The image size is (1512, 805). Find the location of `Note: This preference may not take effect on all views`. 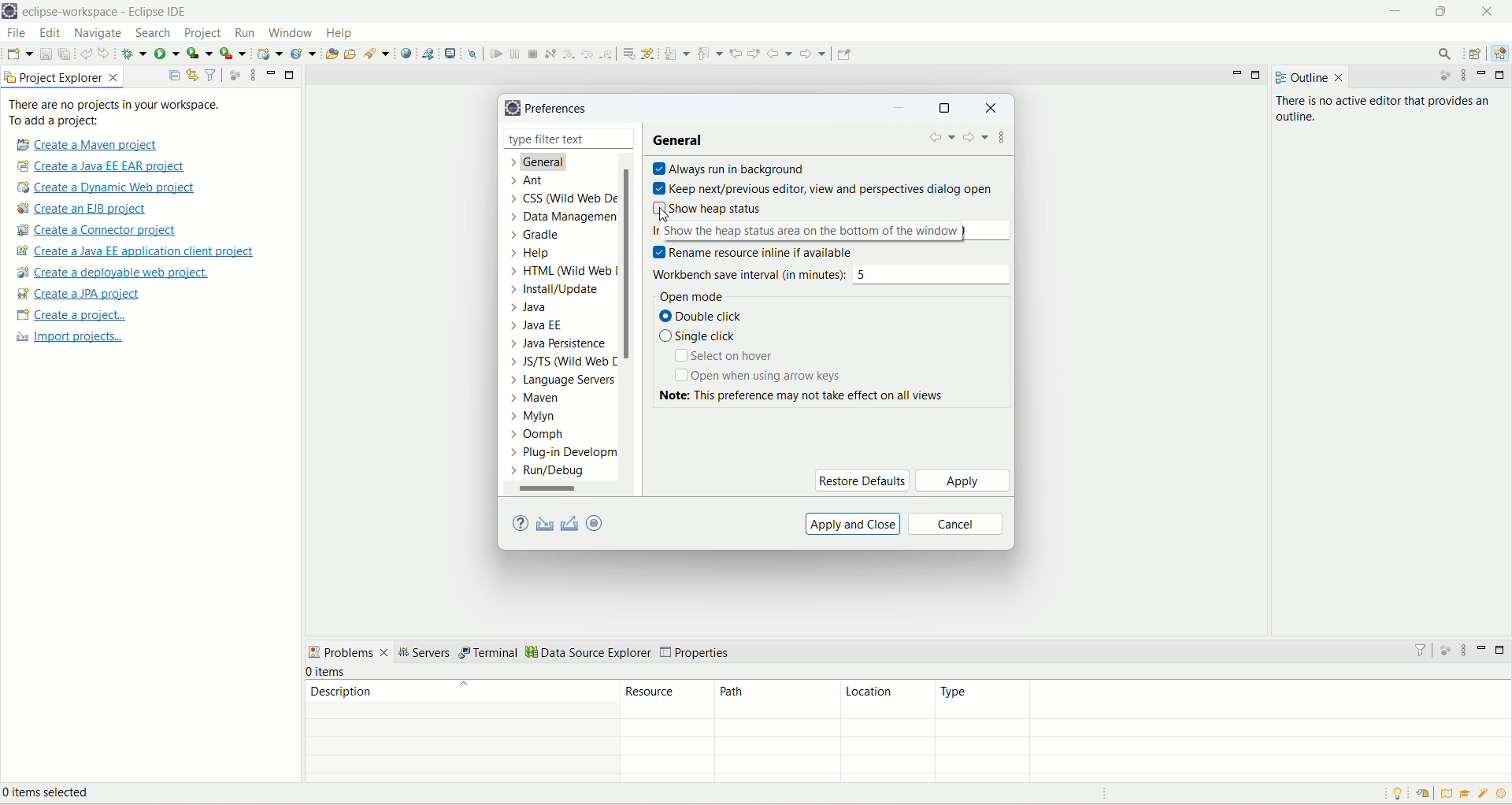

Note: This preference may not take effect on all views is located at coordinates (820, 395).